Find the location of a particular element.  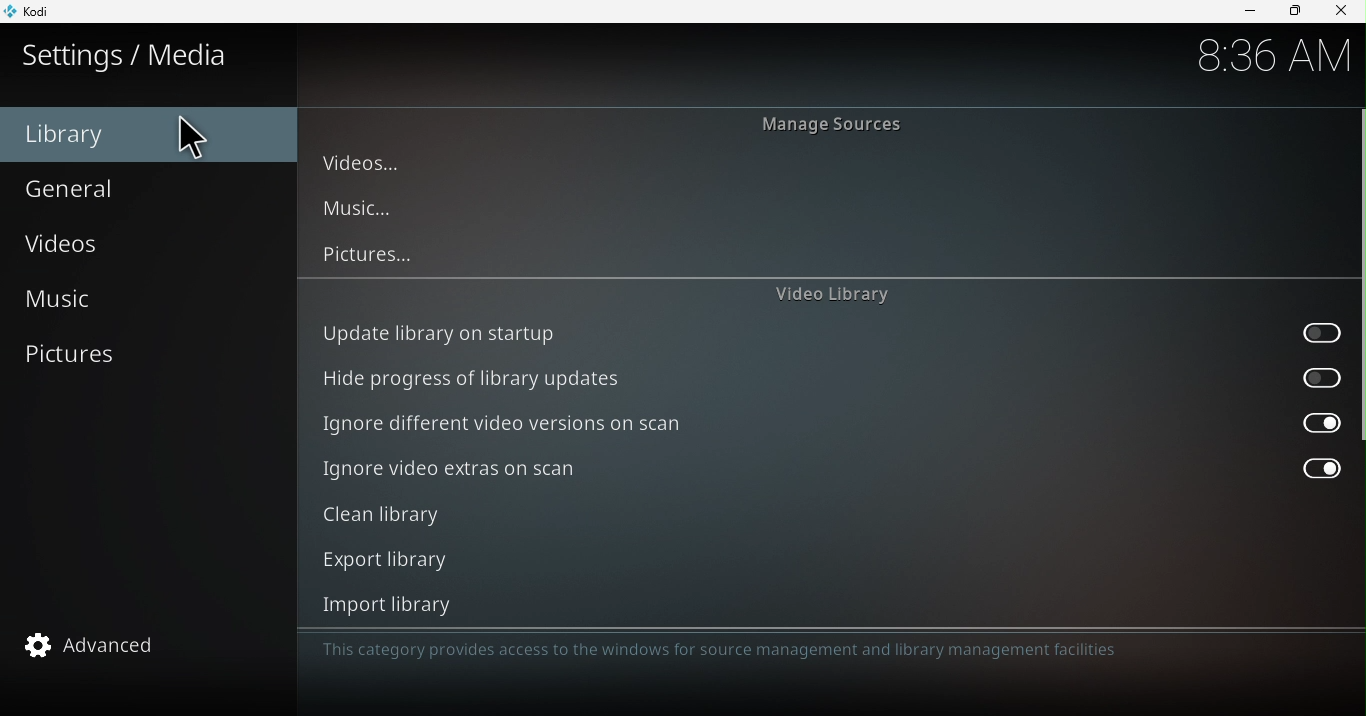

Export is located at coordinates (821, 559).